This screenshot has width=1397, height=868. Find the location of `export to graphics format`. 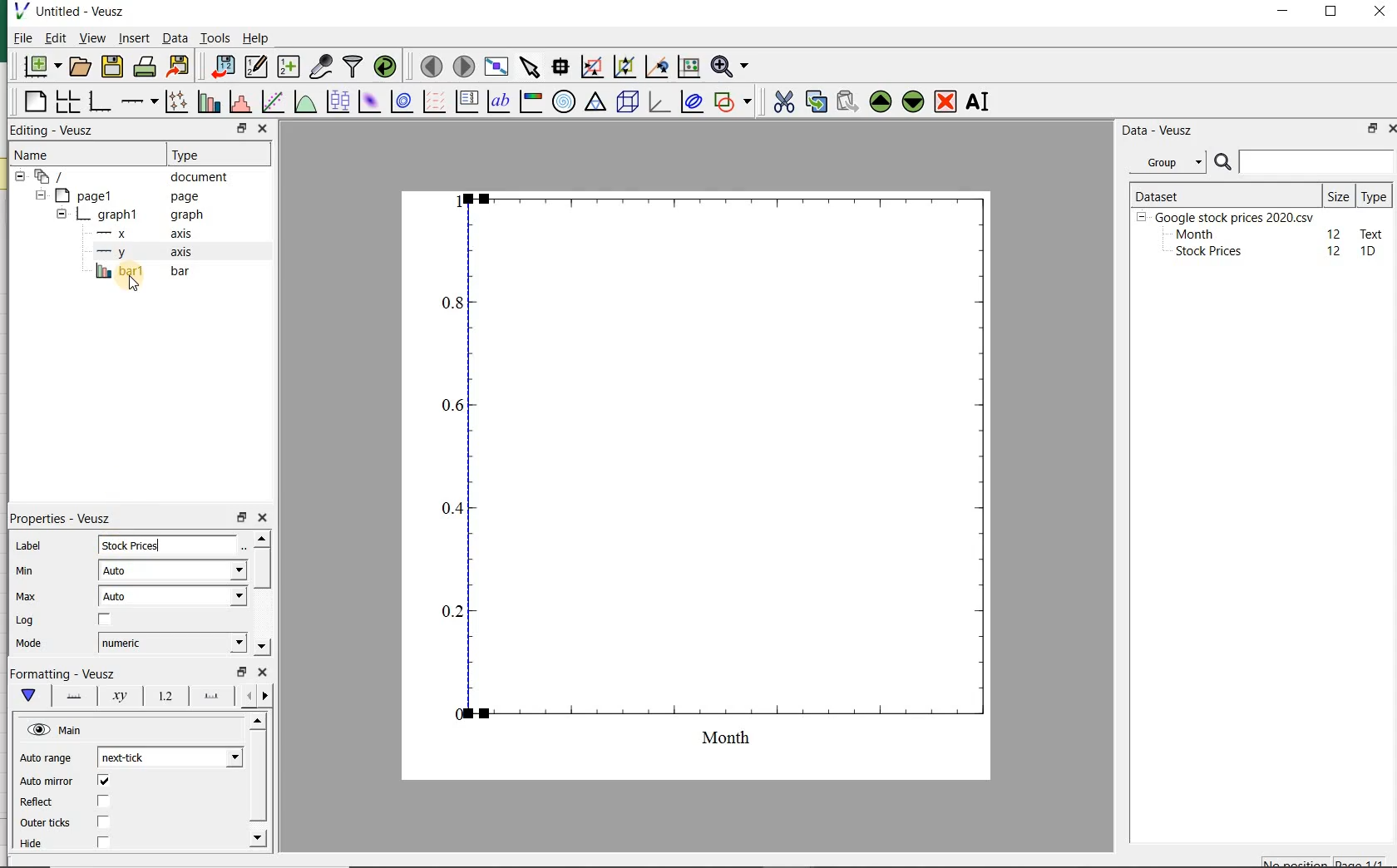

export to graphics format is located at coordinates (179, 67).